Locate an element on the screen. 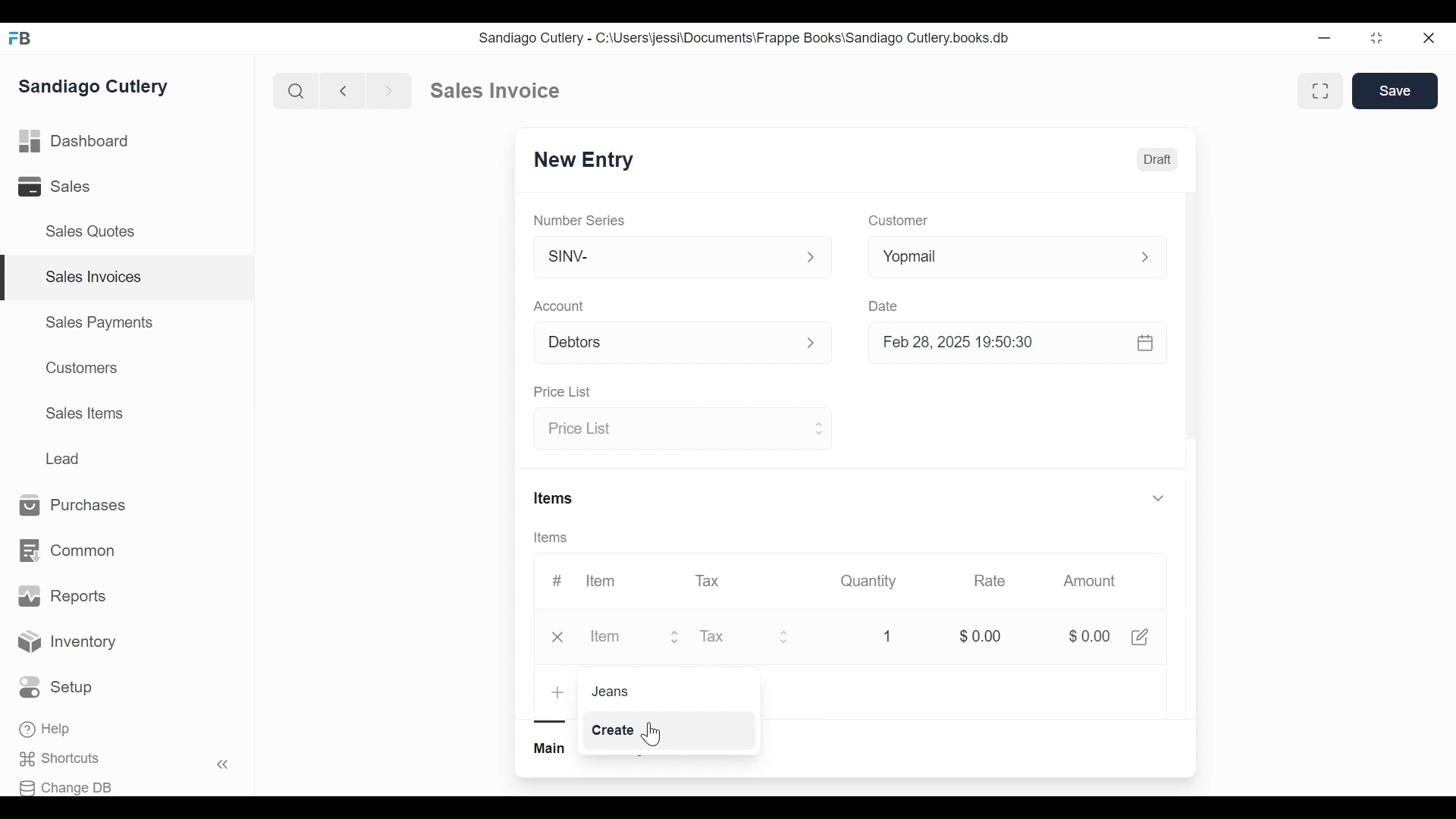 The width and height of the screenshot is (1456, 819). New Entry is located at coordinates (579, 162).